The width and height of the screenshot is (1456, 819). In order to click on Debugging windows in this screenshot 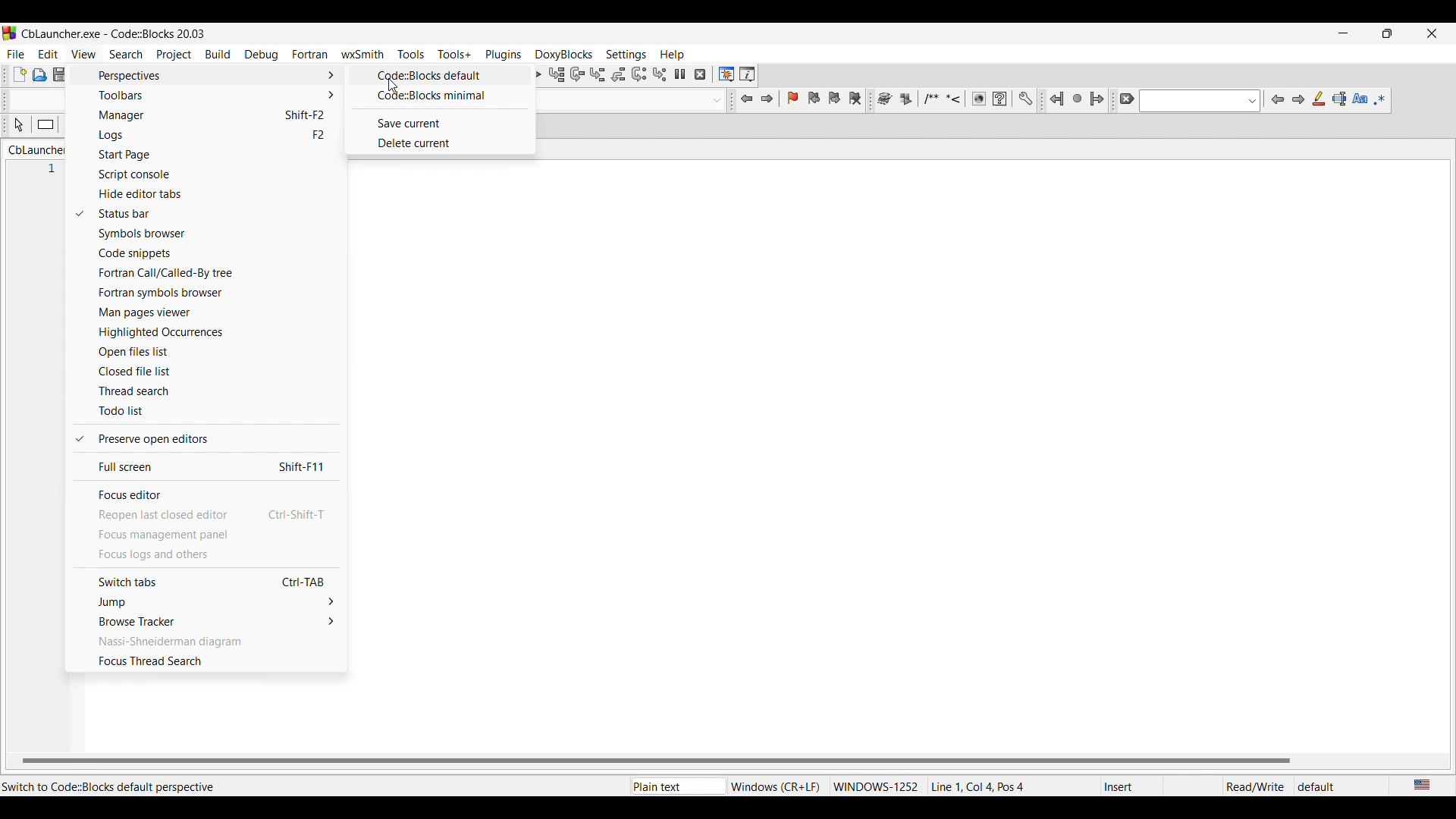, I will do `click(726, 74)`.